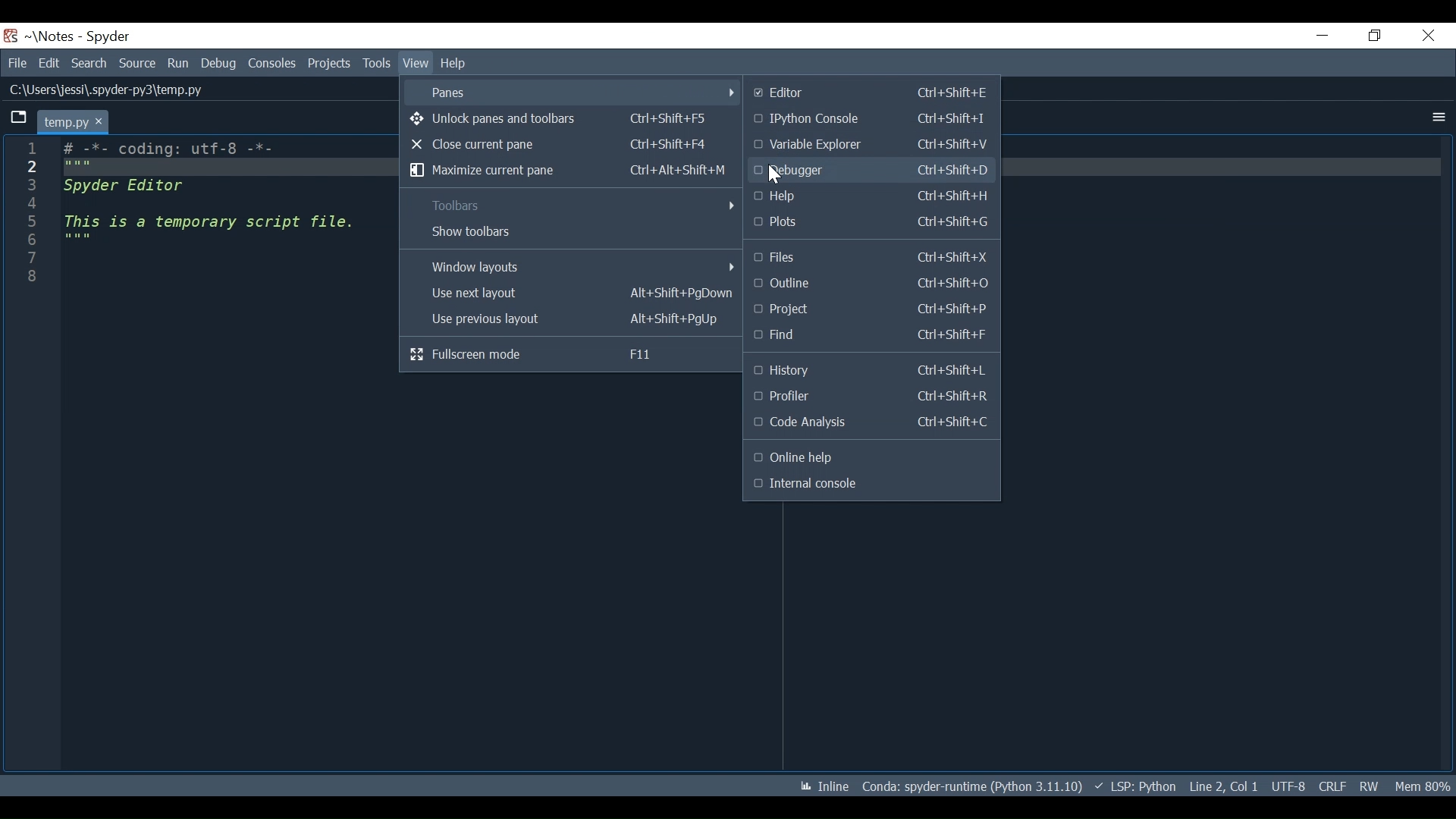 This screenshot has width=1456, height=819. I want to click on Close current pane, so click(560, 146).